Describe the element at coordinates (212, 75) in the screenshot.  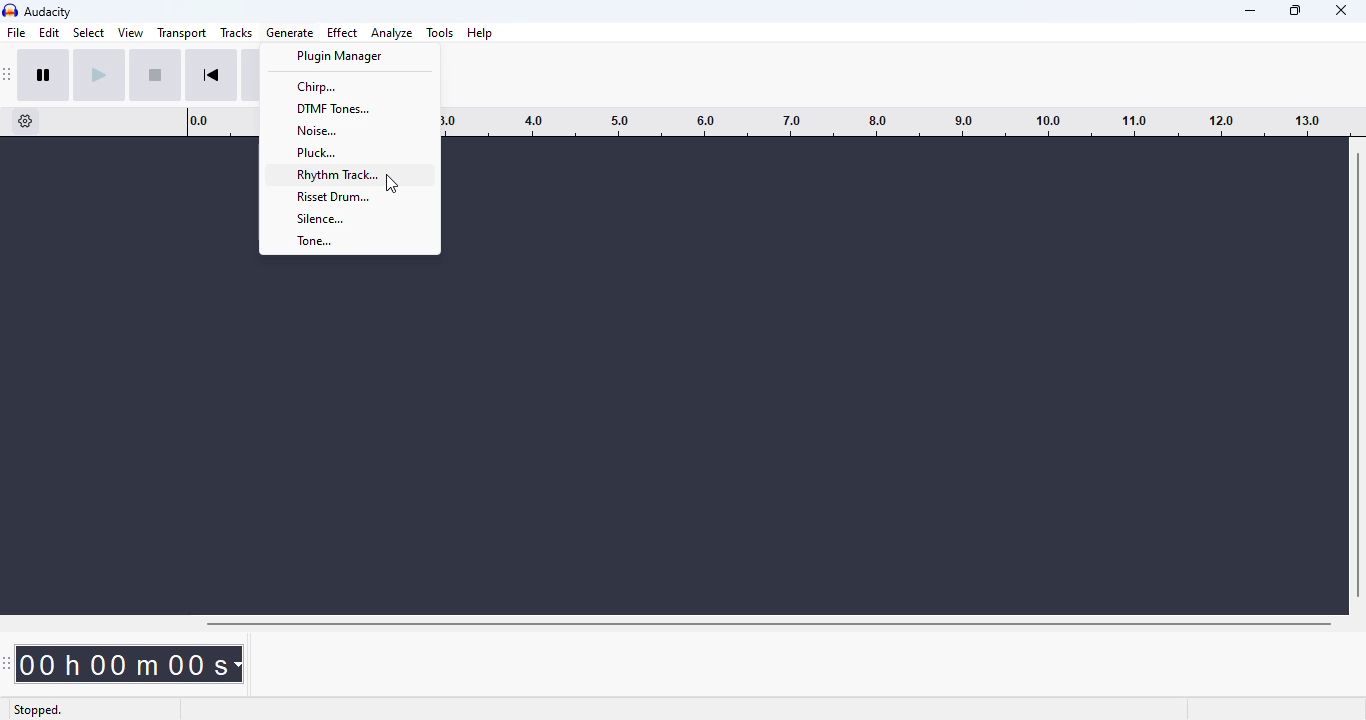
I see `skip to start` at that location.